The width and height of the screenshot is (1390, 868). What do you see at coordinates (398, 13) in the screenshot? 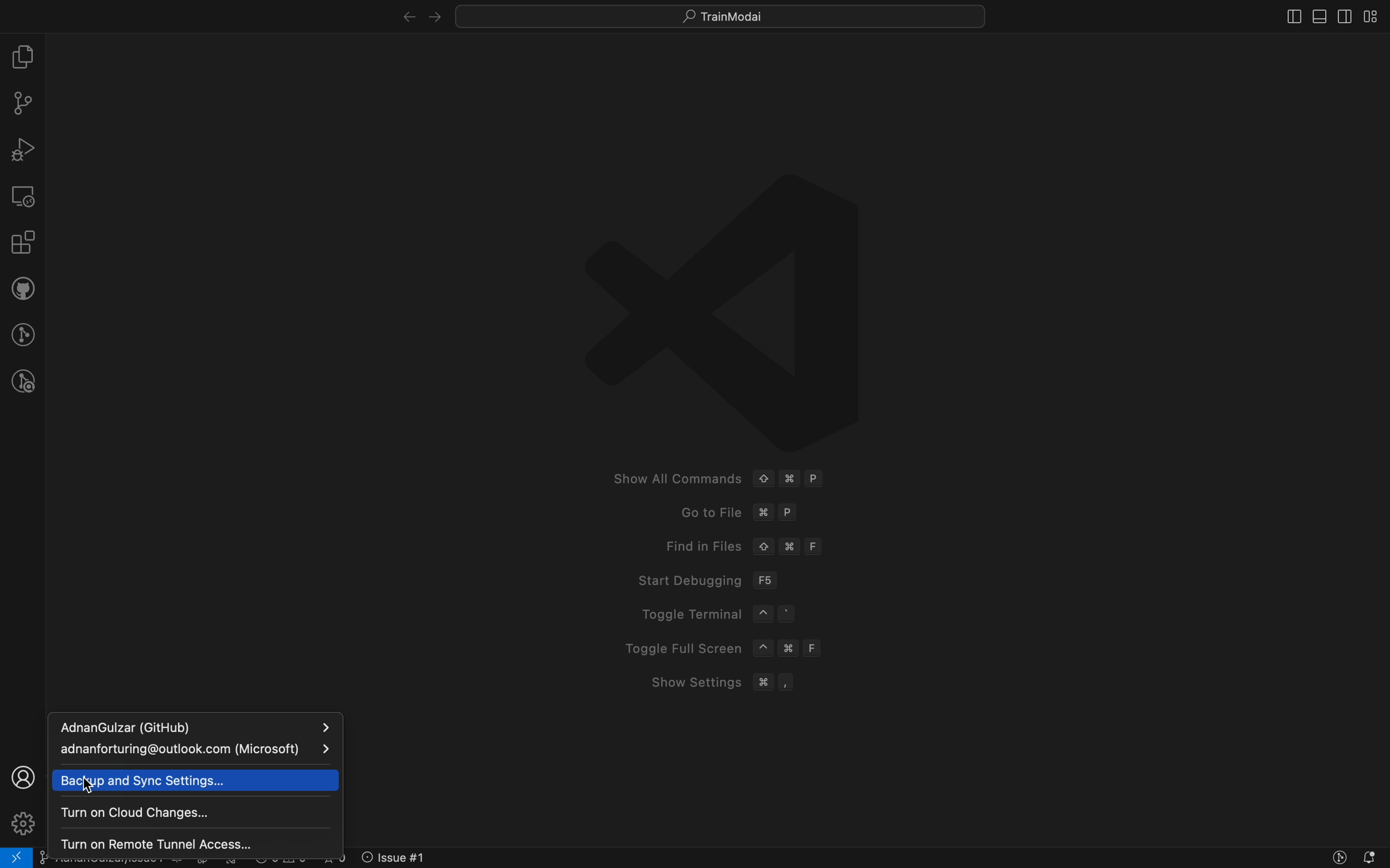
I see `right arrow` at bounding box center [398, 13].